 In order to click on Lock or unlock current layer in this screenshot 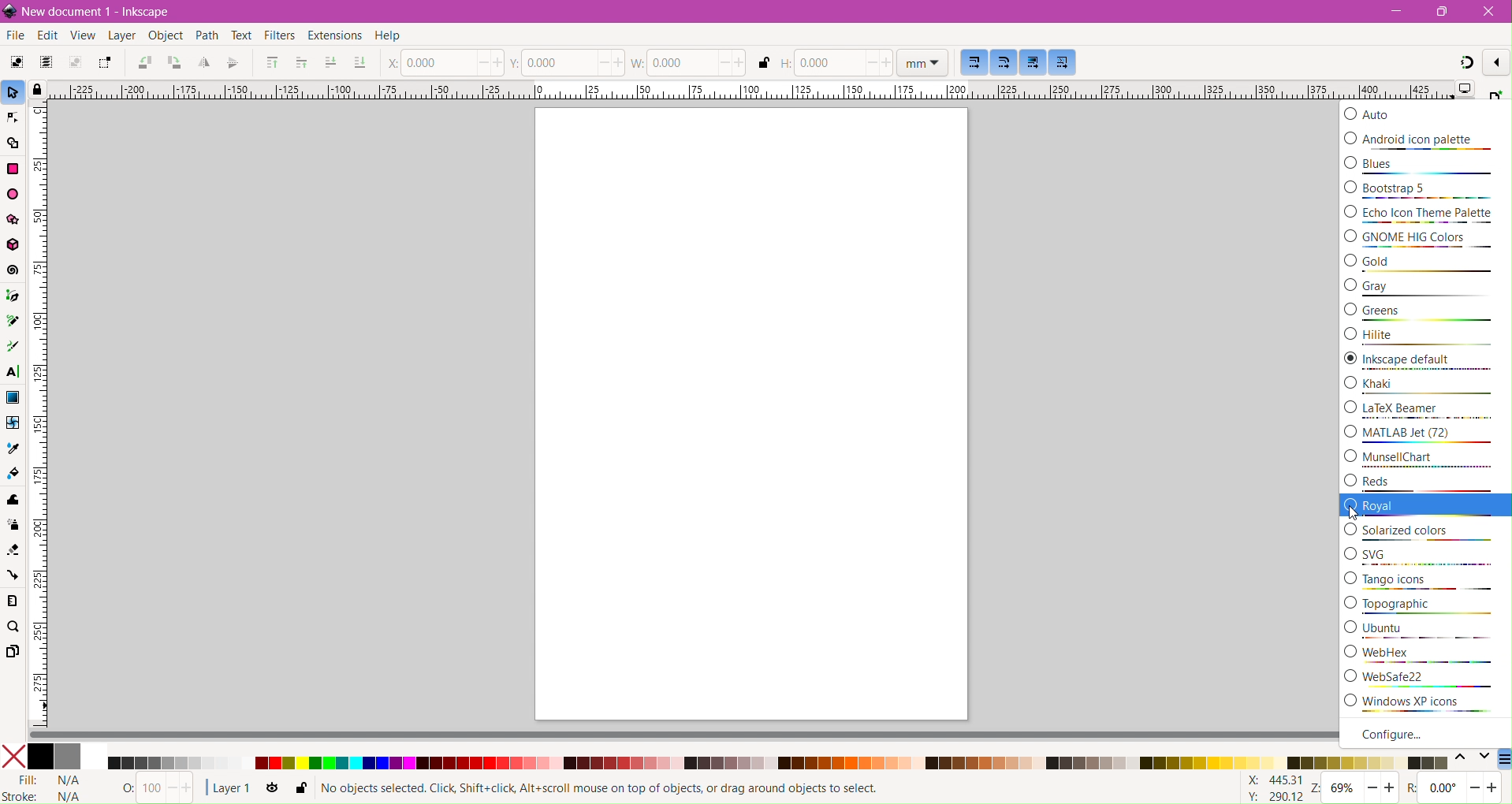, I will do `click(300, 789)`.